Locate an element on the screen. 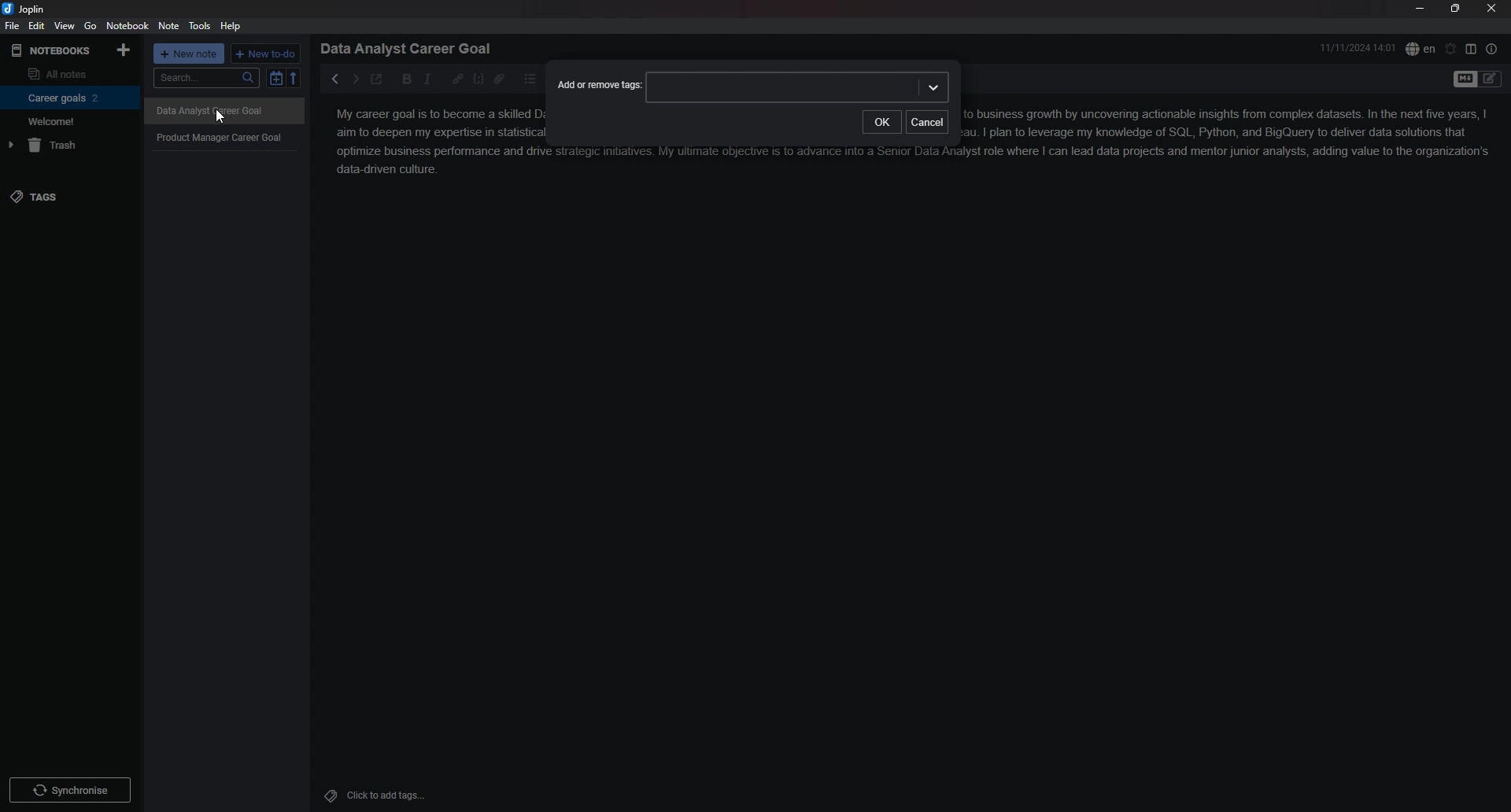  + new note is located at coordinates (189, 54).